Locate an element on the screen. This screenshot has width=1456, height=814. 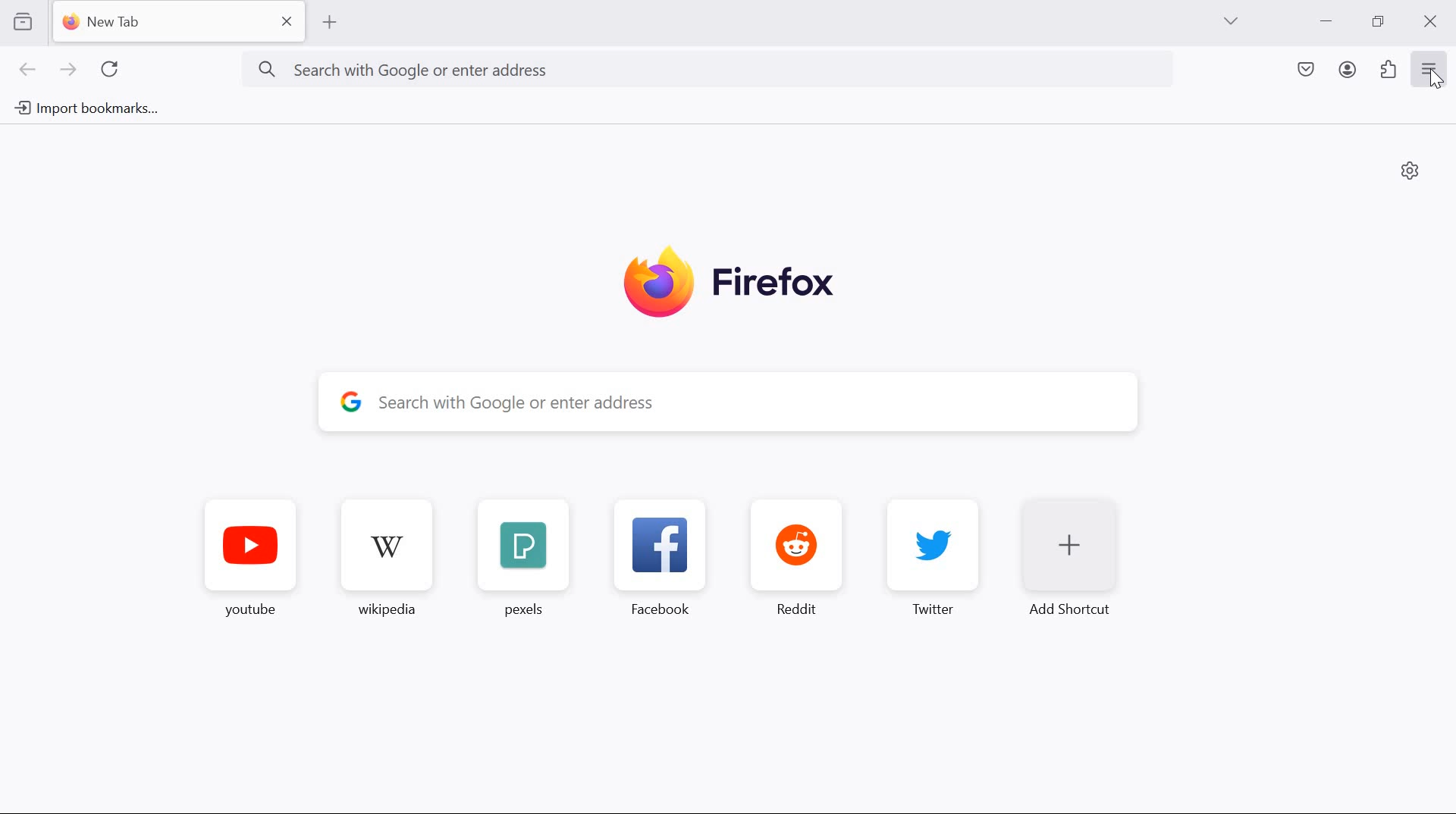
Firefox logo is located at coordinates (731, 281).